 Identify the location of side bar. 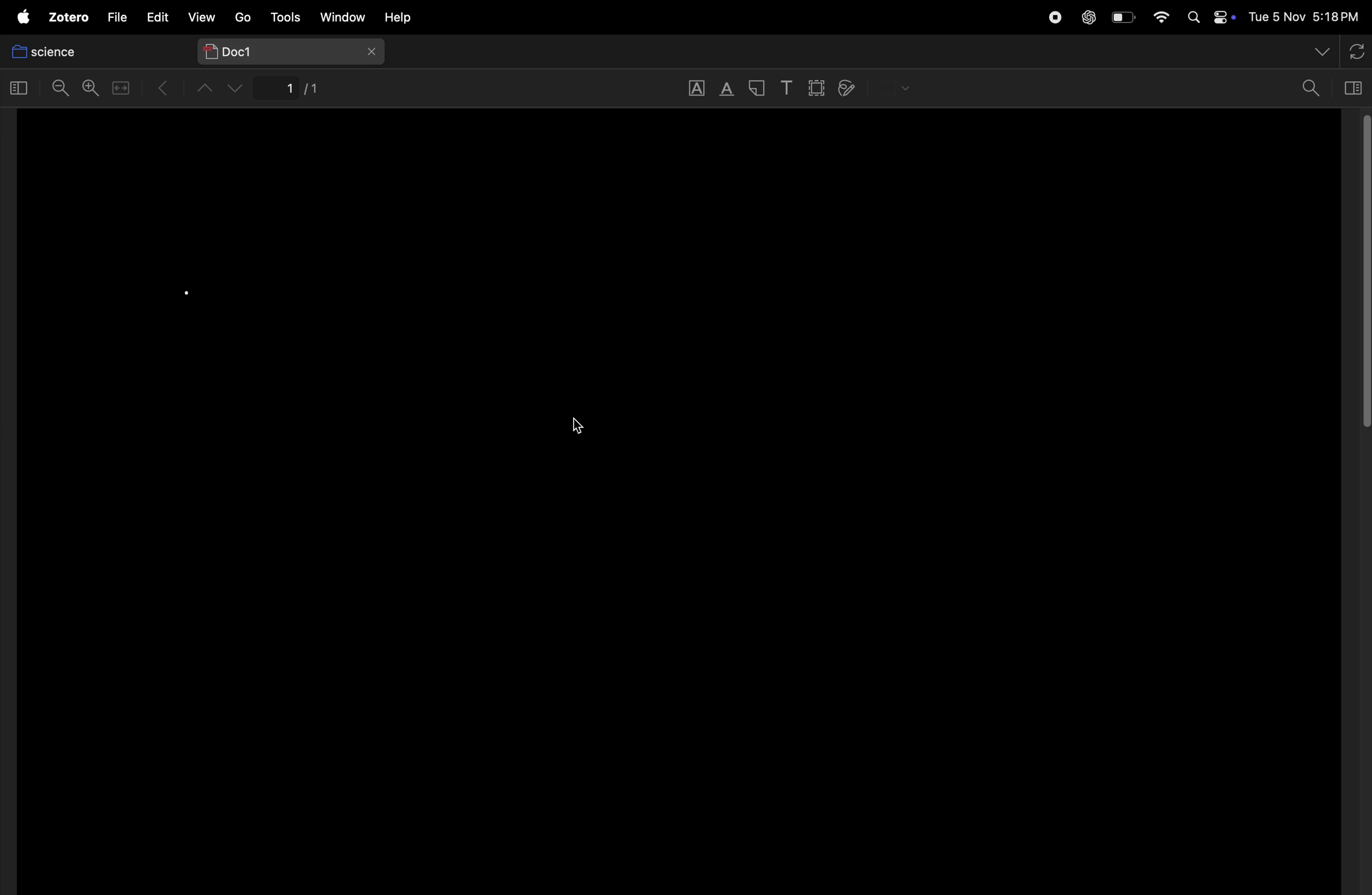
(1353, 89).